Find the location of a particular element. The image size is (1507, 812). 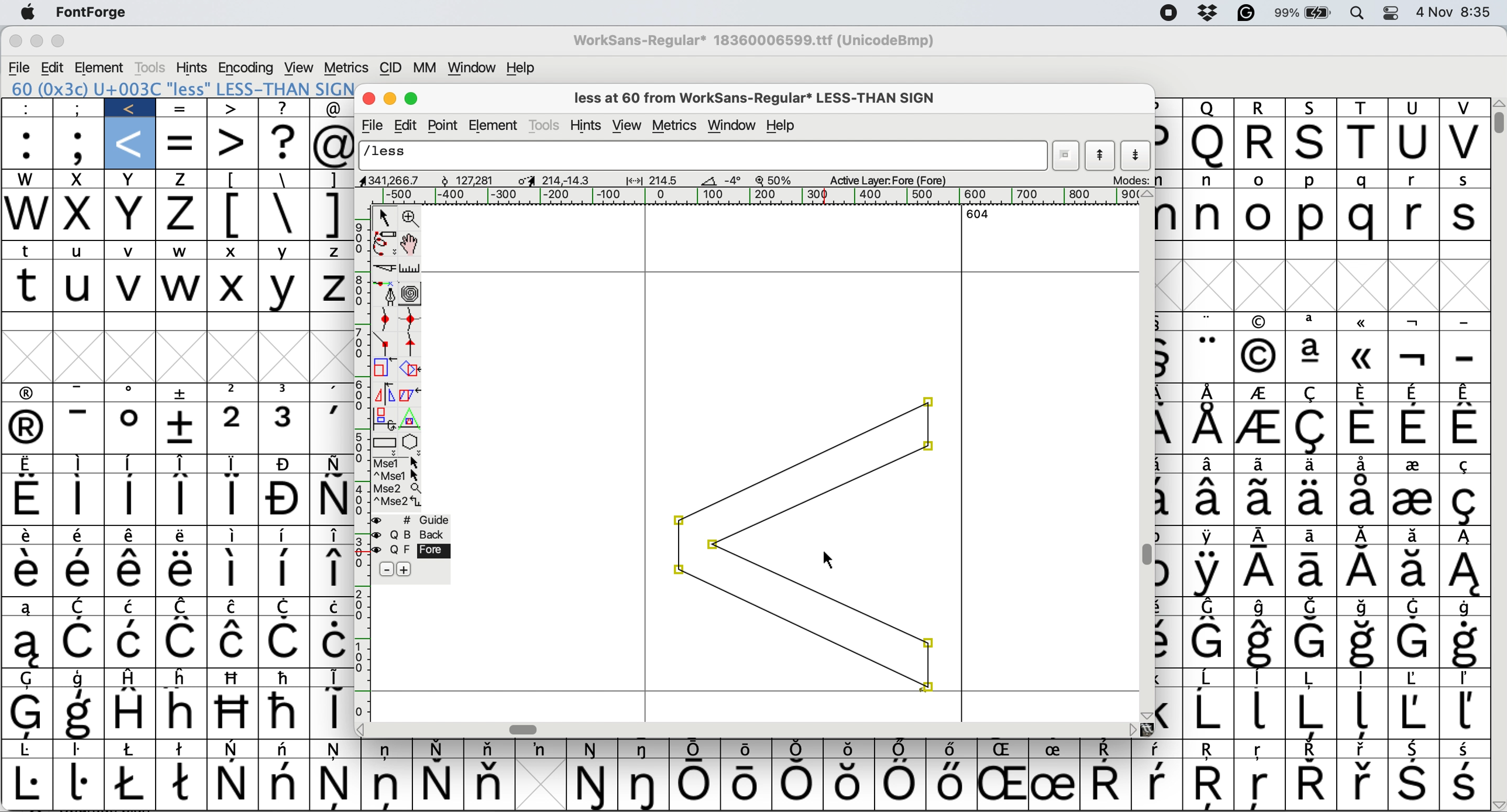

Symbol is located at coordinates (29, 394).